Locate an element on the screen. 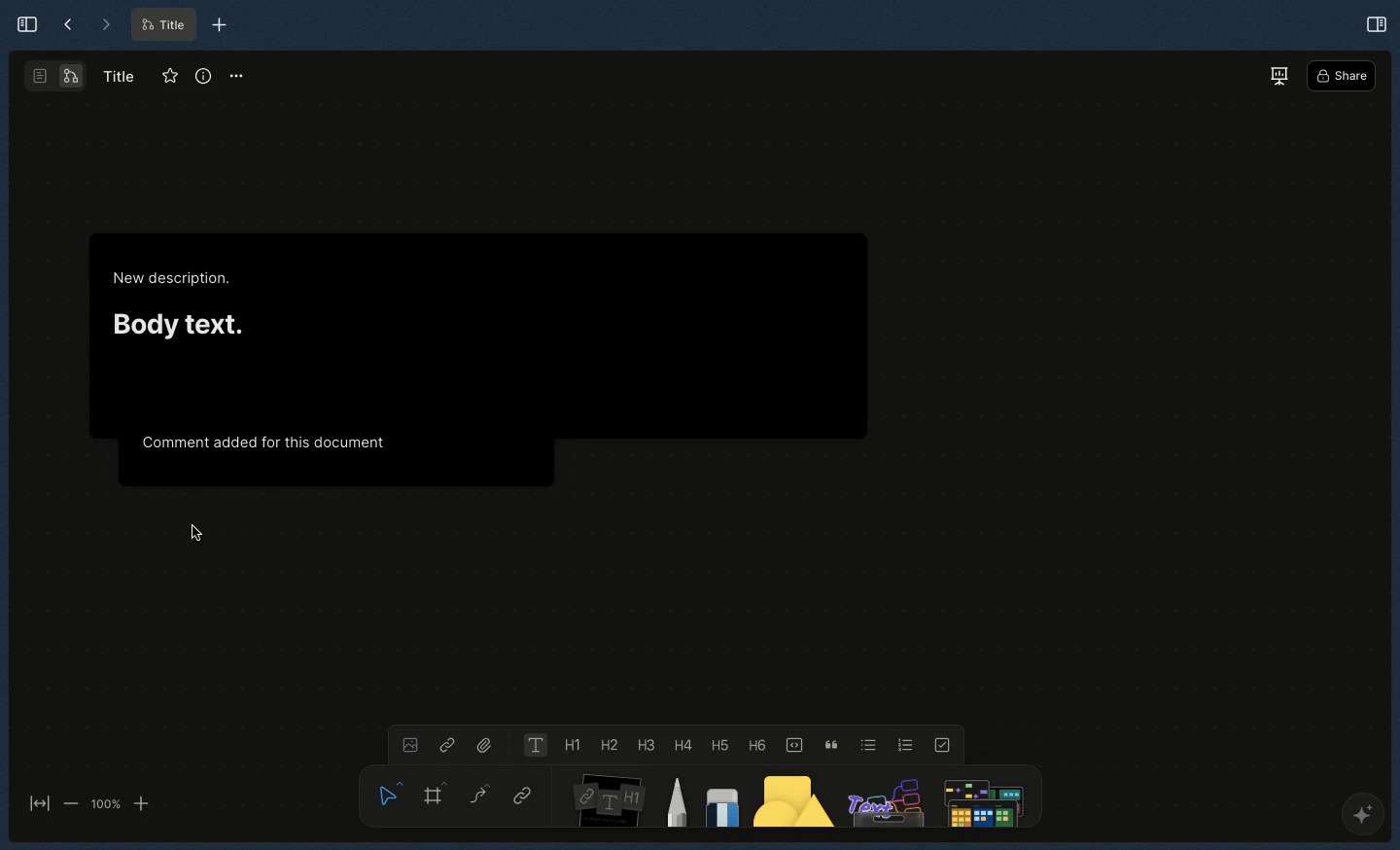 The width and height of the screenshot is (1400, 850). Frame is located at coordinates (437, 793).